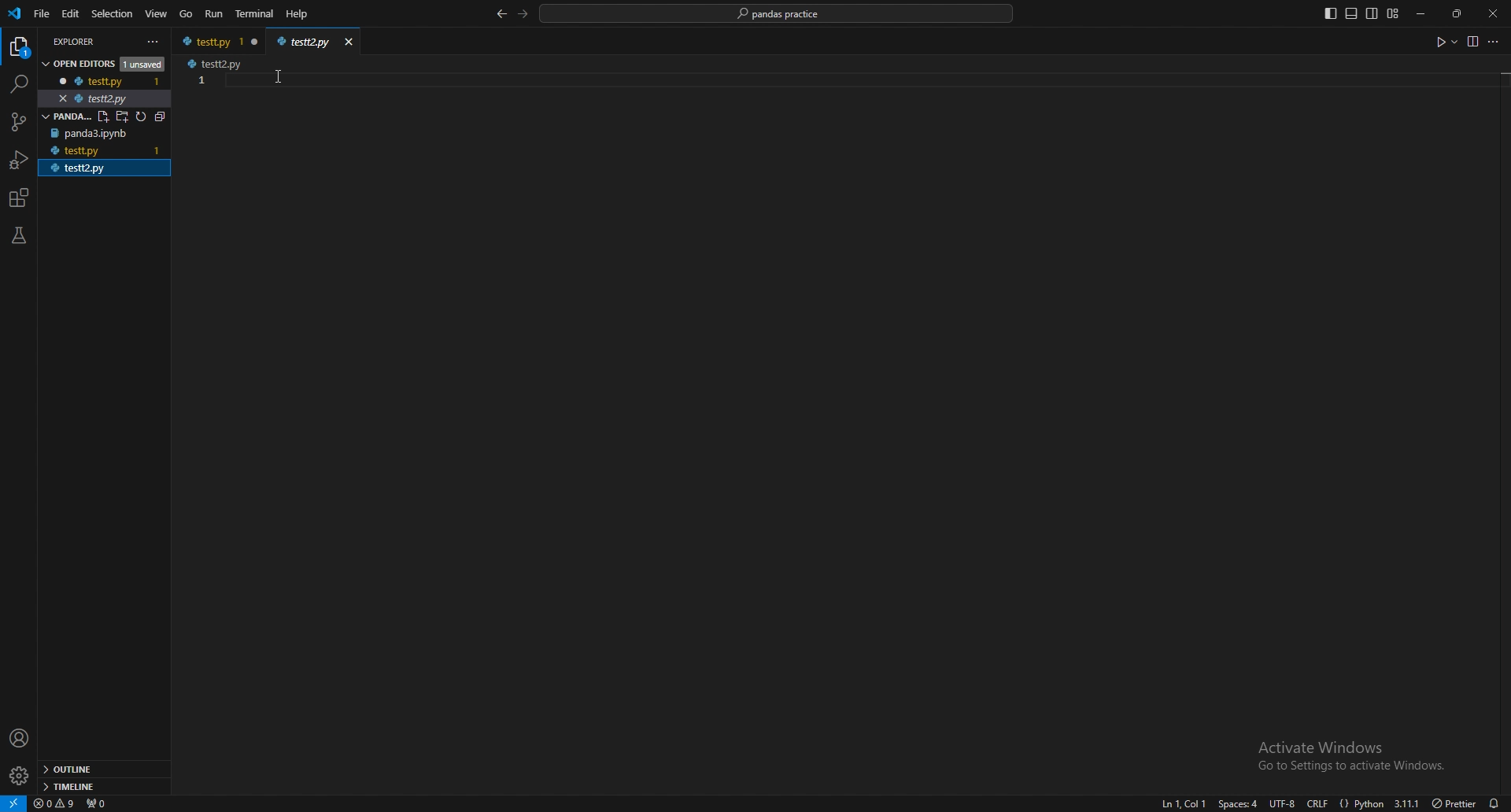  What do you see at coordinates (17, 122) in the screenshot?
I see `source control` at bounding box center [17, 122].